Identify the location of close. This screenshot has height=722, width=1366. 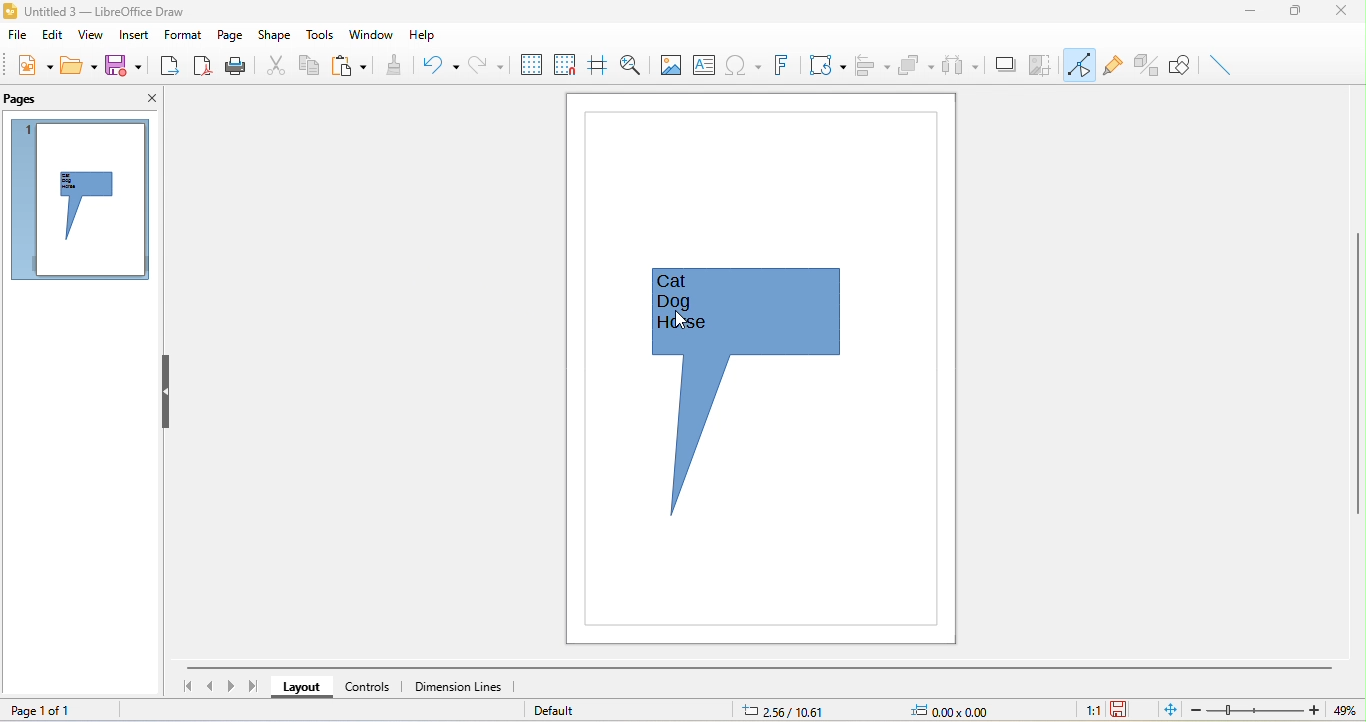
(147, 97).